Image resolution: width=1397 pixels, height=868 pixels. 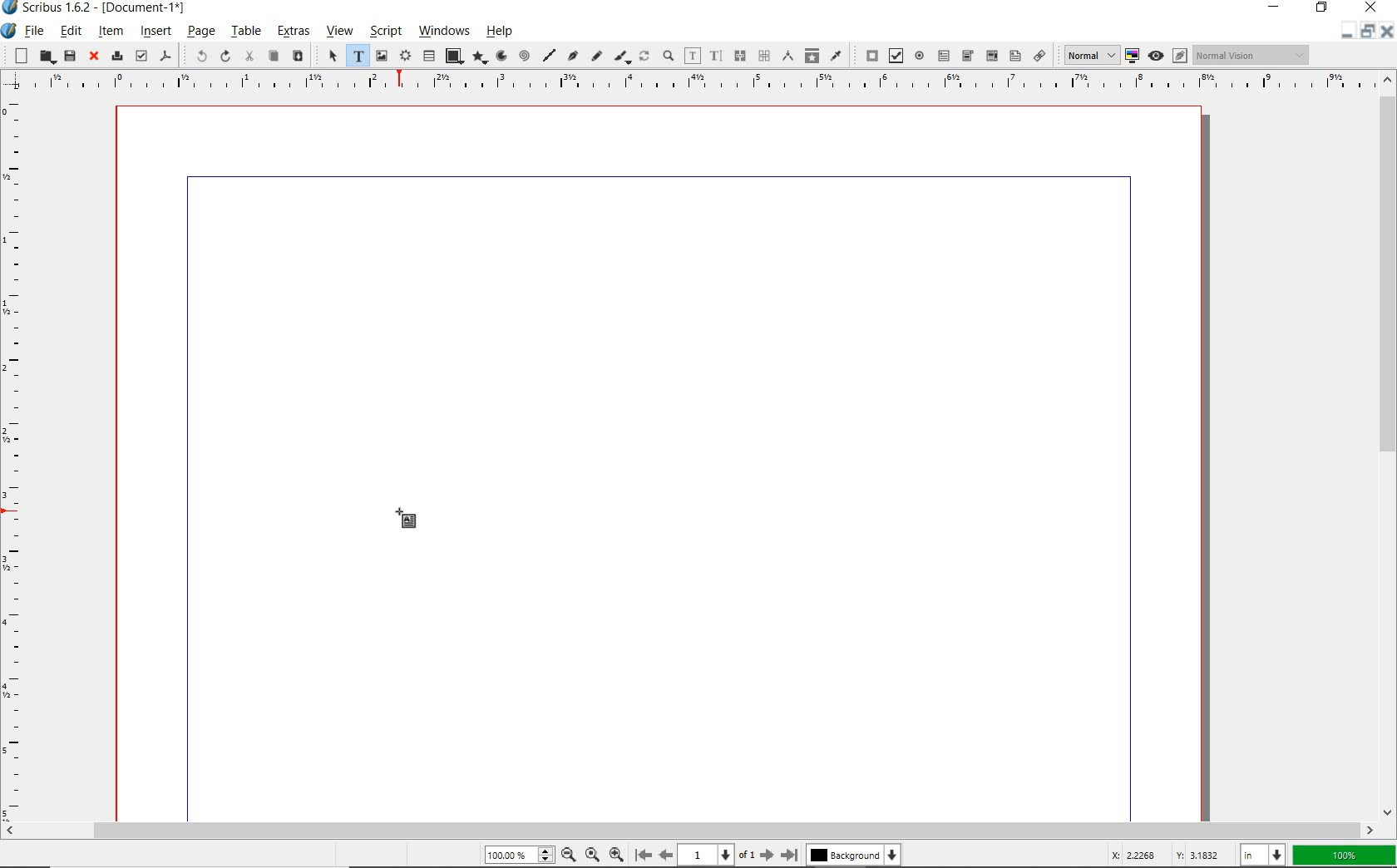 I want to click on new, so click(x=17, y=55).